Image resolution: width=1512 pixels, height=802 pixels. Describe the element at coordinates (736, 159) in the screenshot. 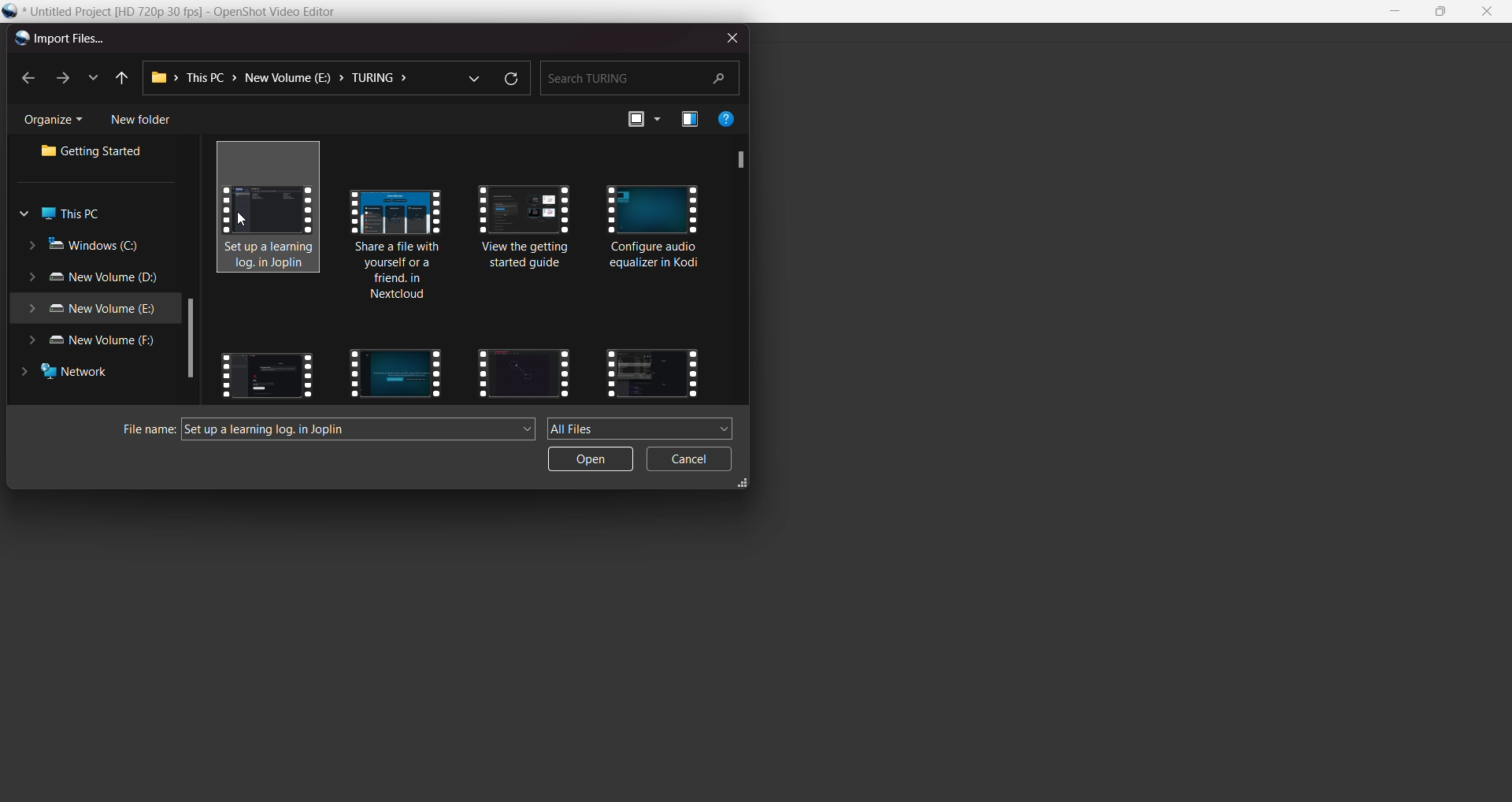

I see `scroll bar` at that location.